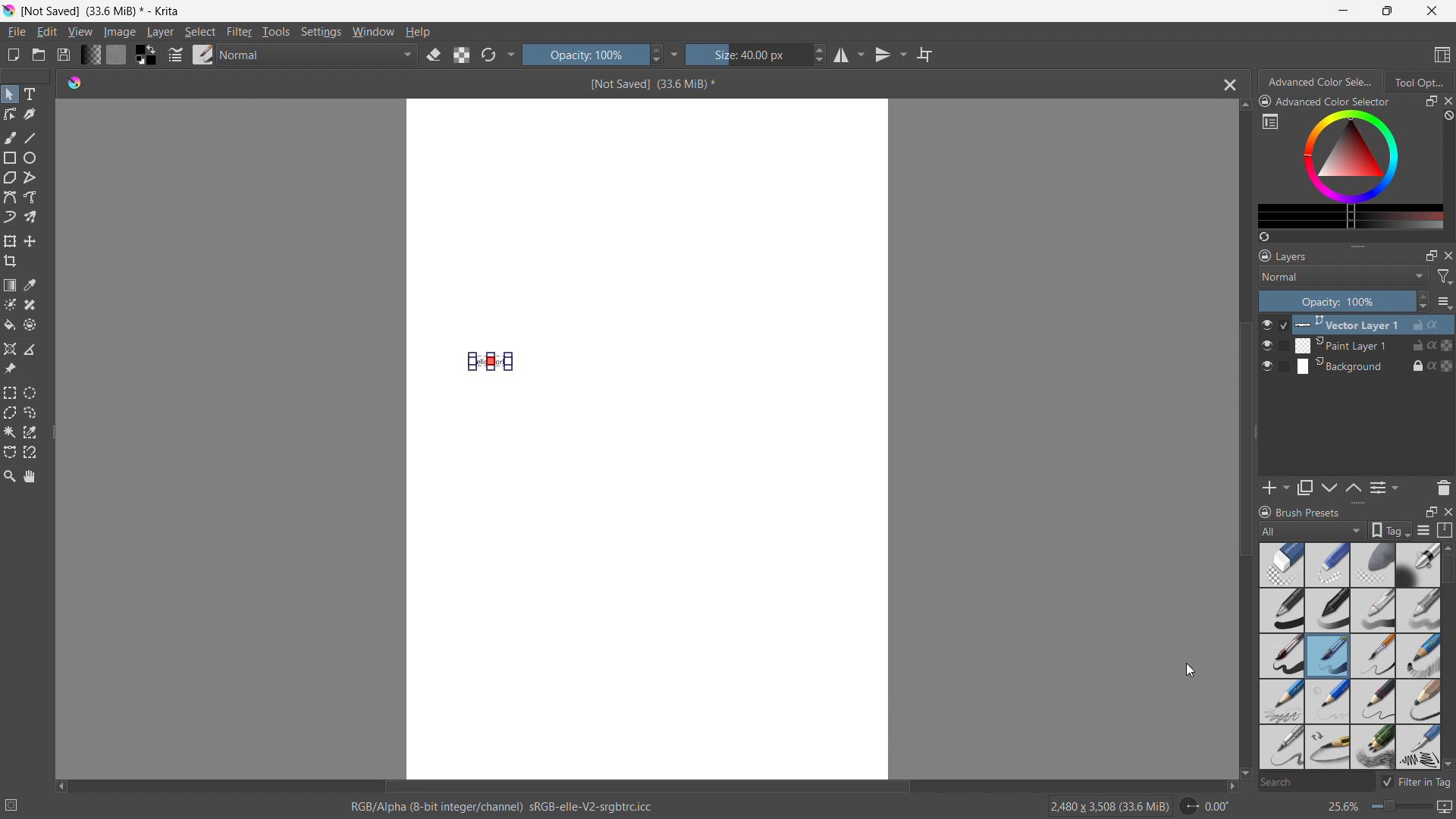 Image resolution: width=1456 pixels, height=819 pixels. What do you see at coordinates (1367, 346) in the screenshot?
I see `Paint Layer 1` at bounding box center [1367, 346].